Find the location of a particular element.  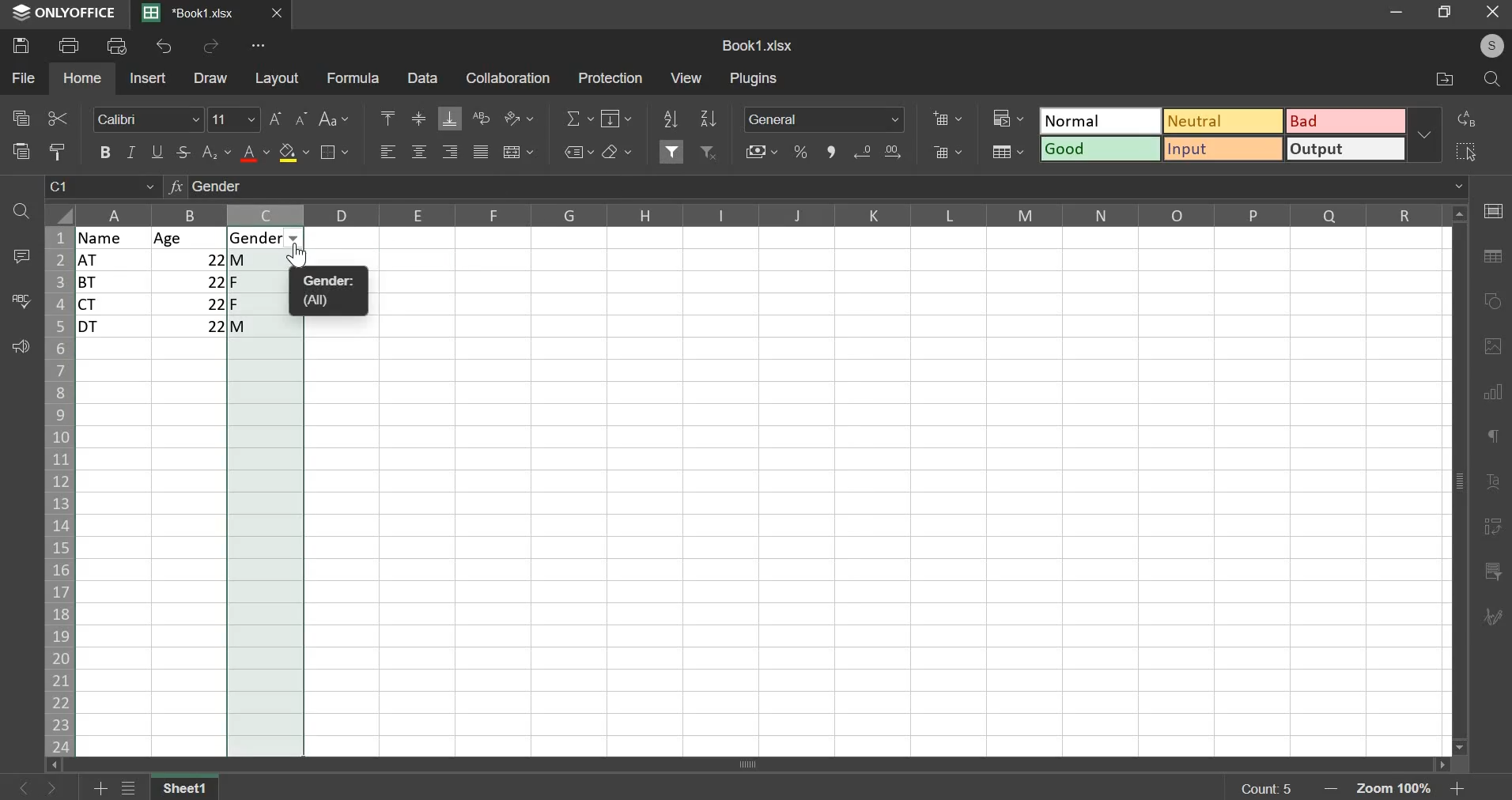

remove filter is located at coordinates (710, 152).